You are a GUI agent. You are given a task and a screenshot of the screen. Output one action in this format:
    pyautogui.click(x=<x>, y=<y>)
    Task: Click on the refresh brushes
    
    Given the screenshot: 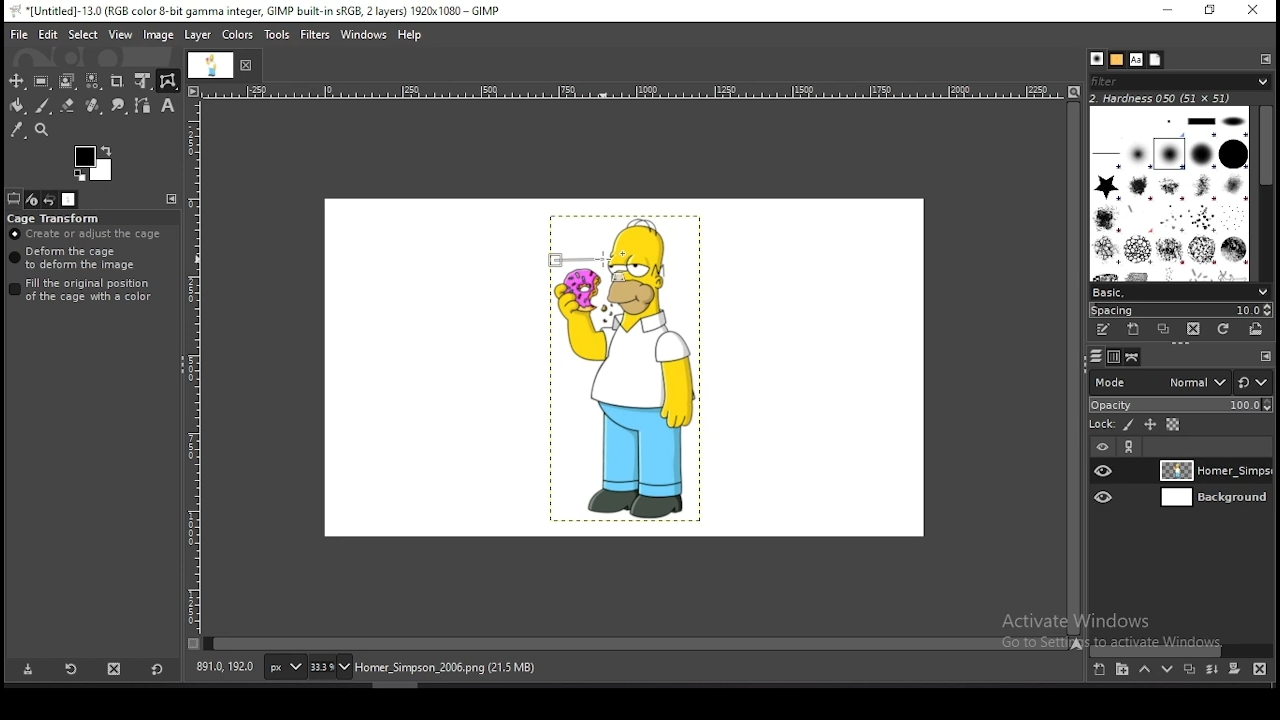 What is the action you would take?
    pyautogui.click(x=1224, y=329)
    